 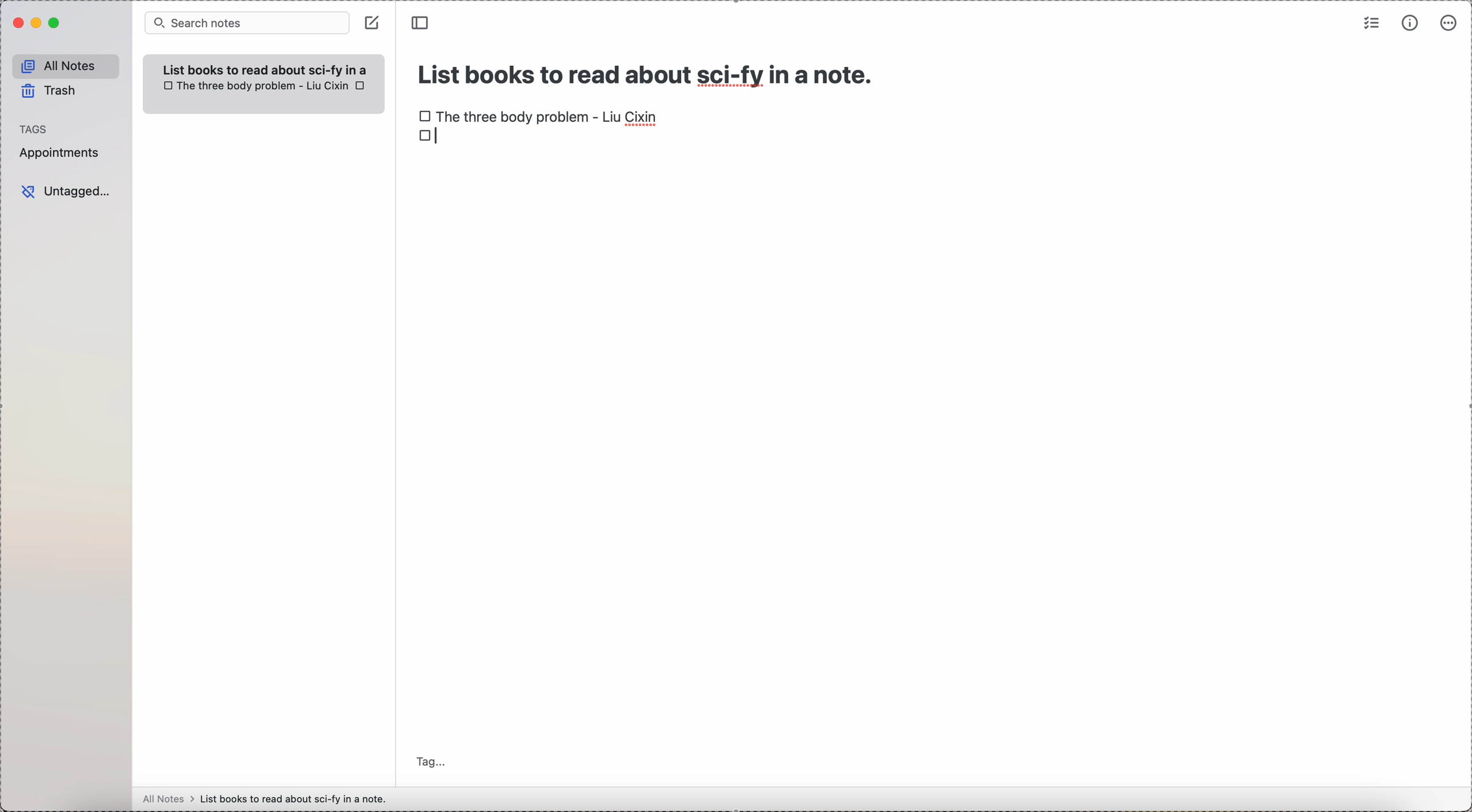 I want to click on all notes > List books to read about sci-fy in a note., so click(x=268, y=798).